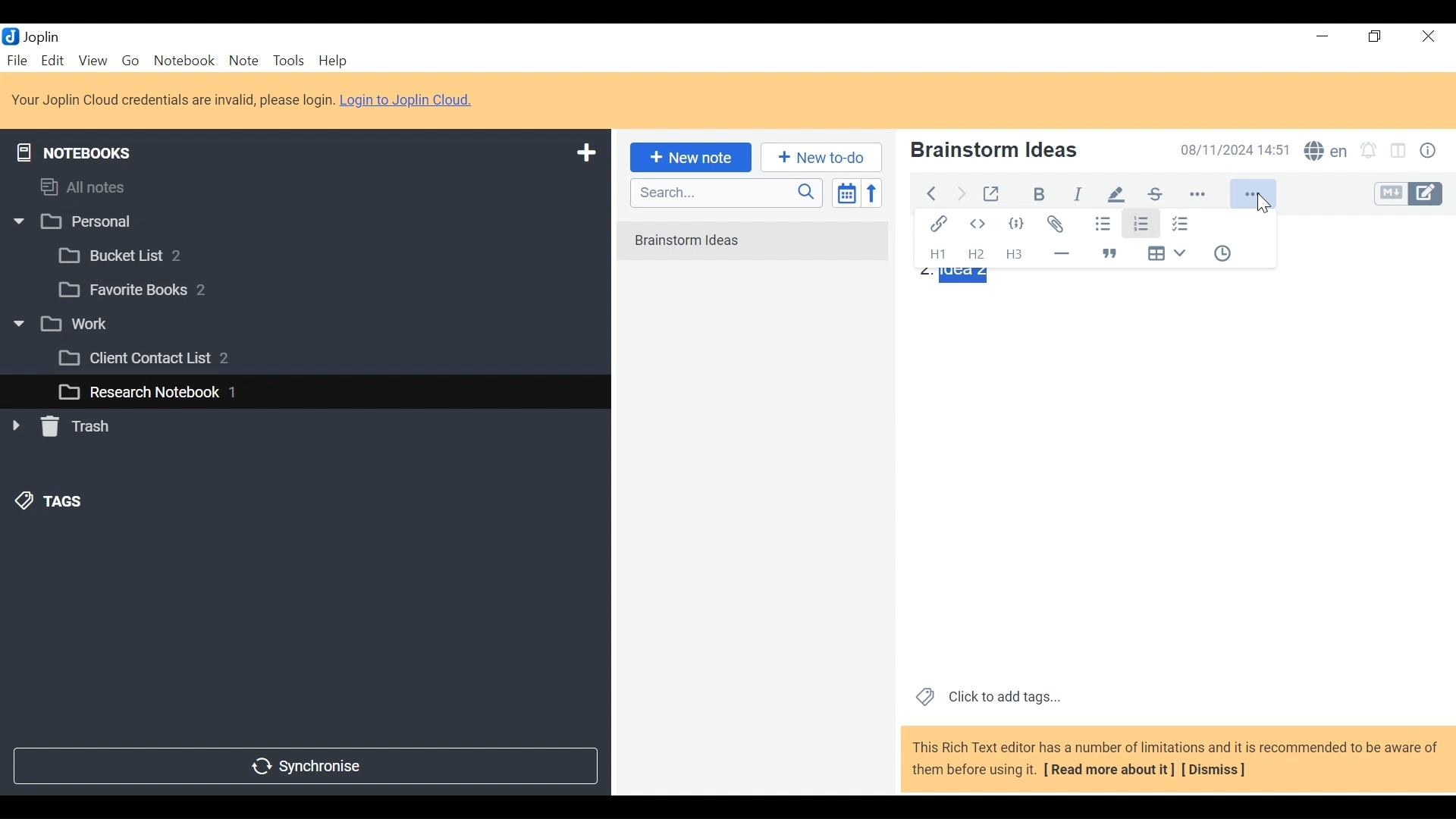 The height and width of the screenshot is (819, 1456). Describe the element at coordinates (1175, 758) in the screenshot. I see `This Rich Text editor has a number of limitations and it is recommended to be aware of
them before using it. [ Read more about it] [Dismiss]` at that location.